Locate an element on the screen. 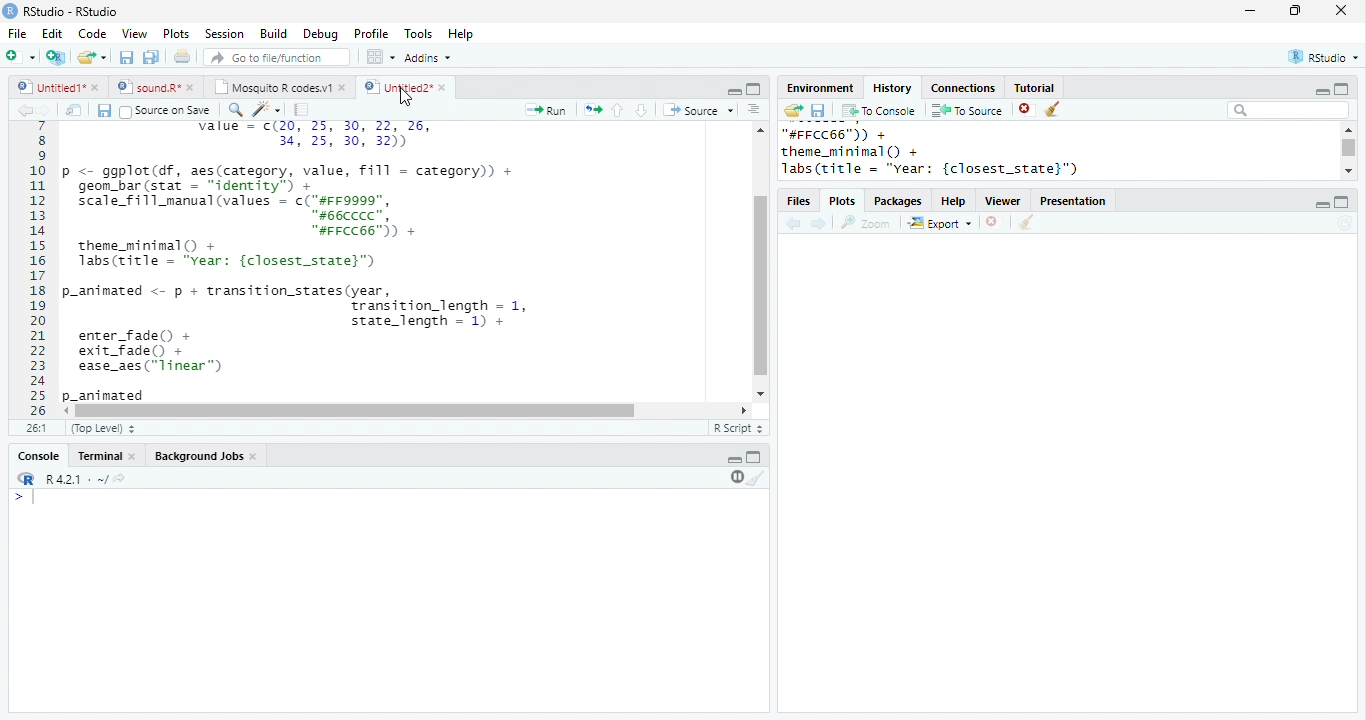  Tools is located at coordinates (418, 33).